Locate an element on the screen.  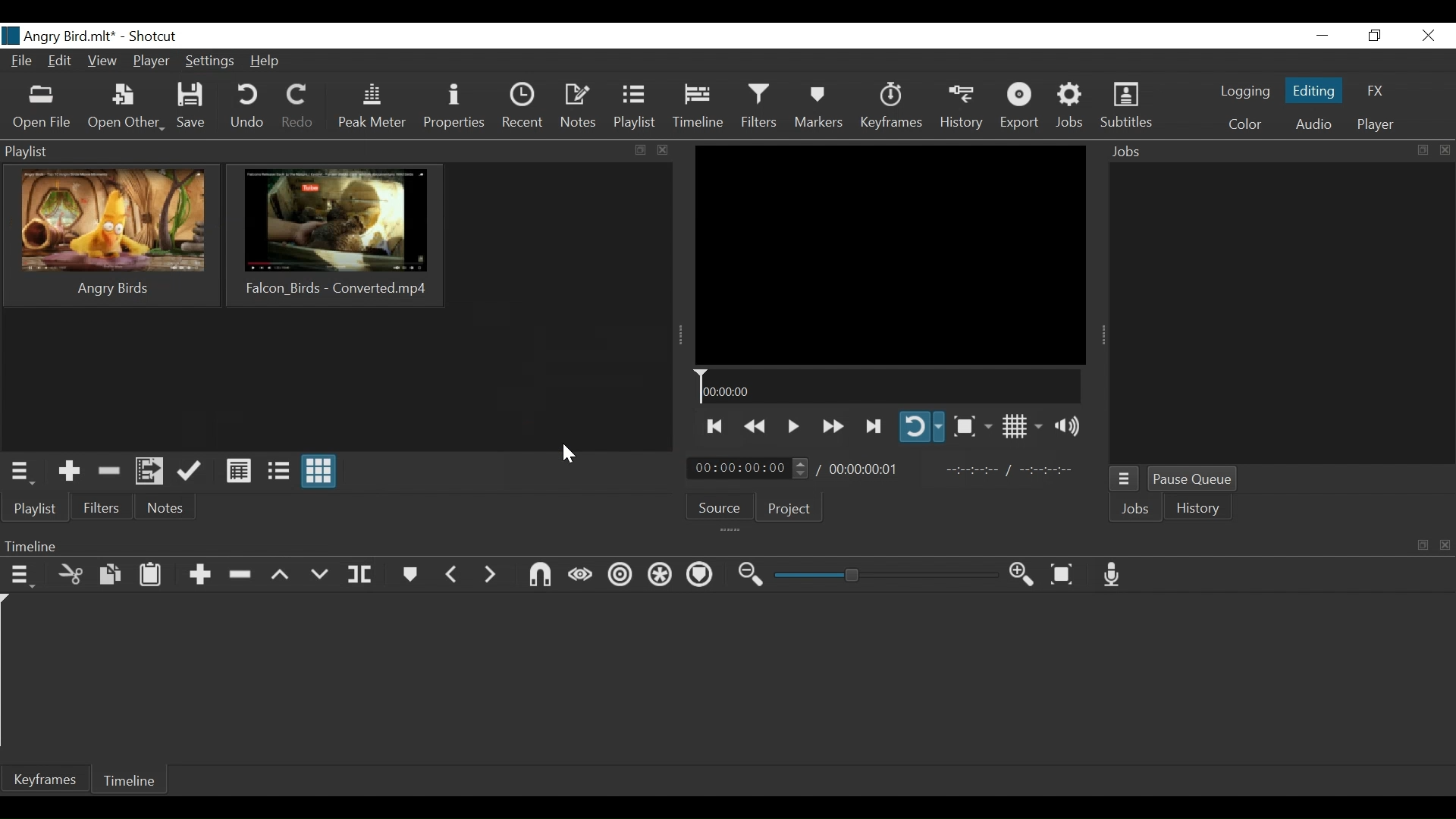
History is located at coordinates (964, 108).